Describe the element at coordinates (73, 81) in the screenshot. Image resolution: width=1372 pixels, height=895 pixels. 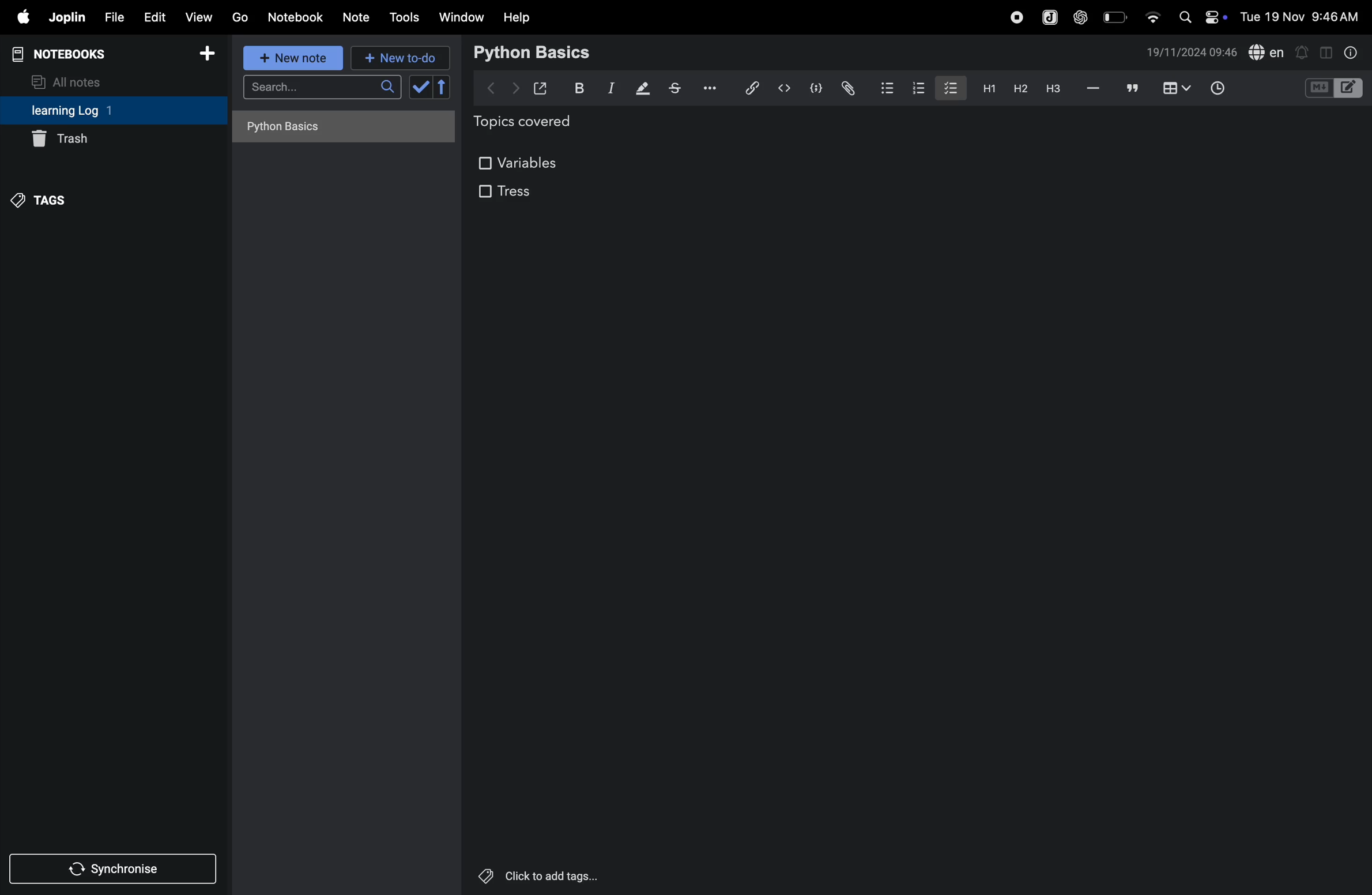
I see `all notes` at that location.